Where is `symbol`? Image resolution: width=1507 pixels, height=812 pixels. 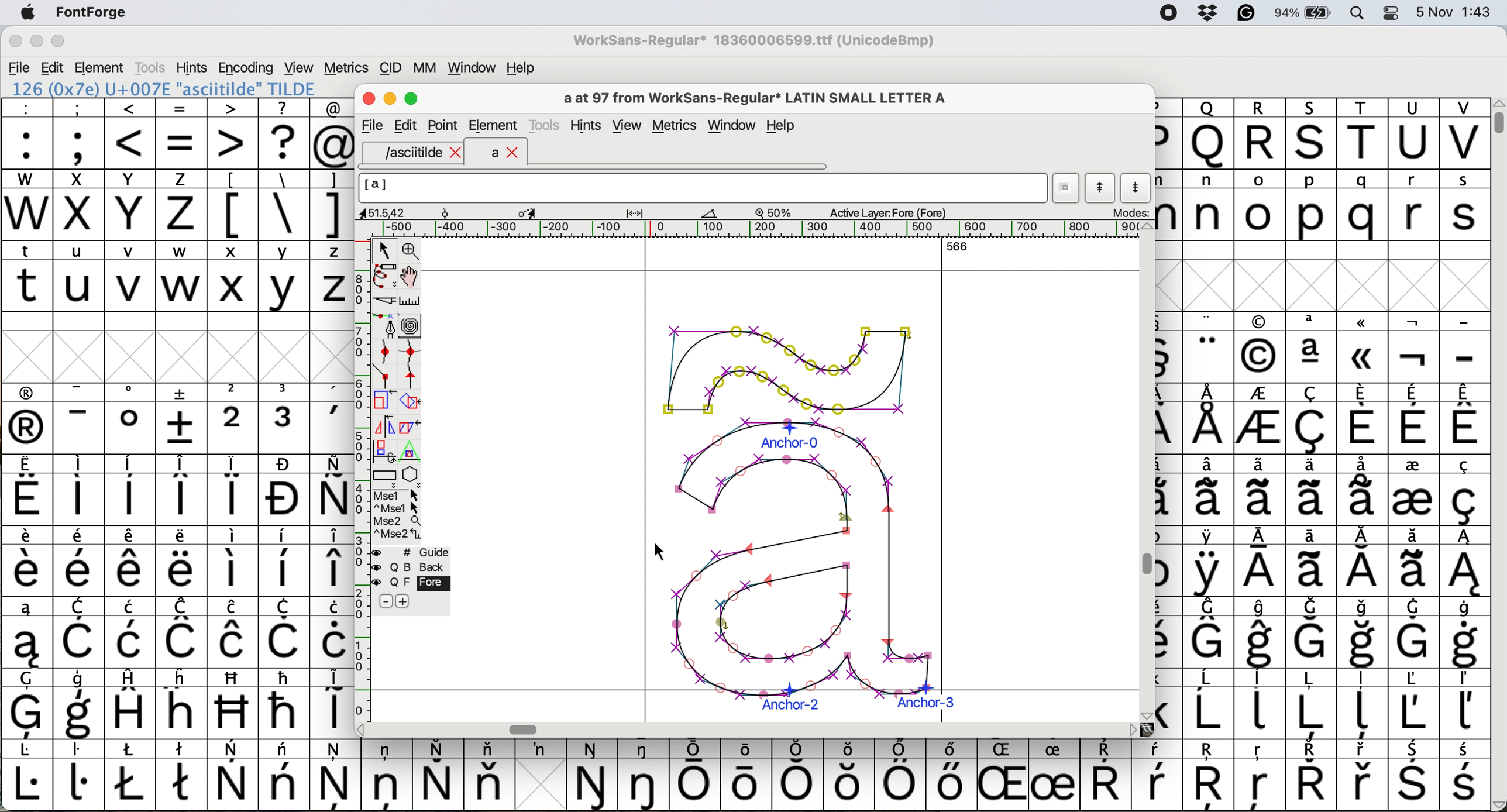 symbol is located at coordinates (1105, 776).